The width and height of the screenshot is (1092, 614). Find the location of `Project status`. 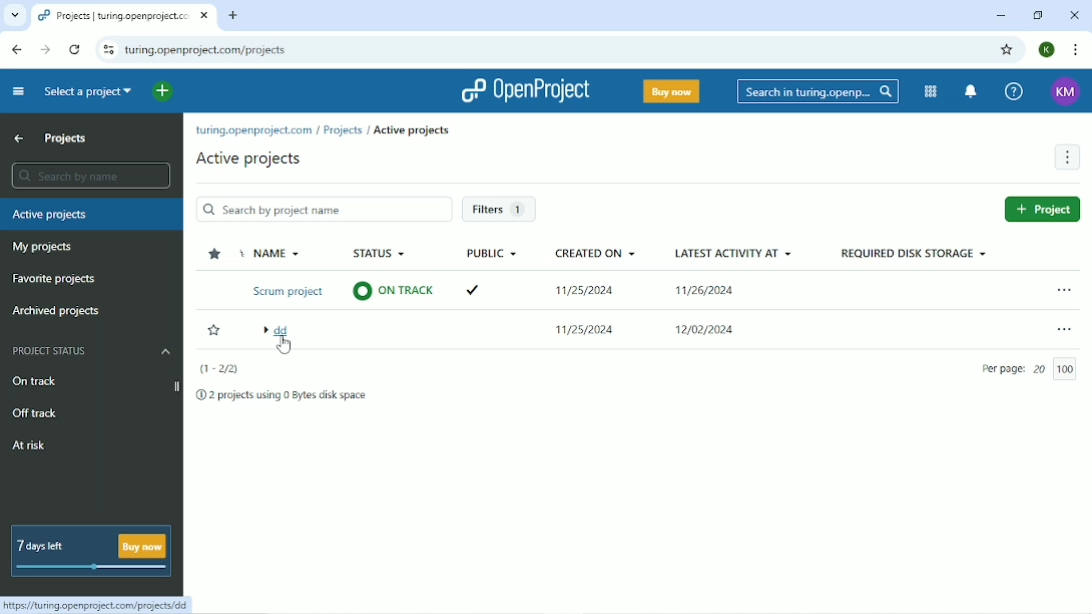

Project status is located at coordinates (90, 352).